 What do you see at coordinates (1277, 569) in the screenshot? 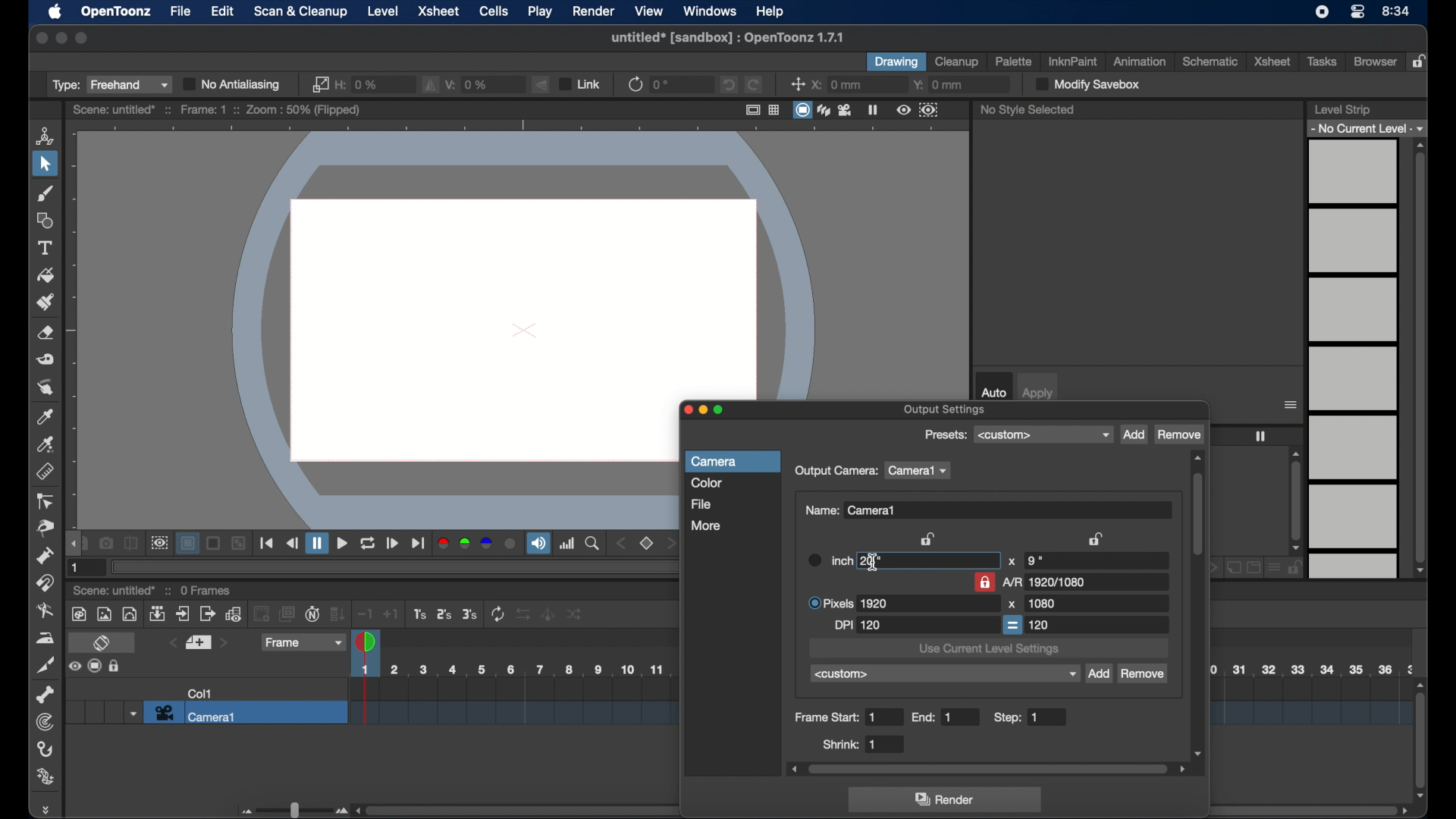
I see `` at bounding box center [1277, 569].